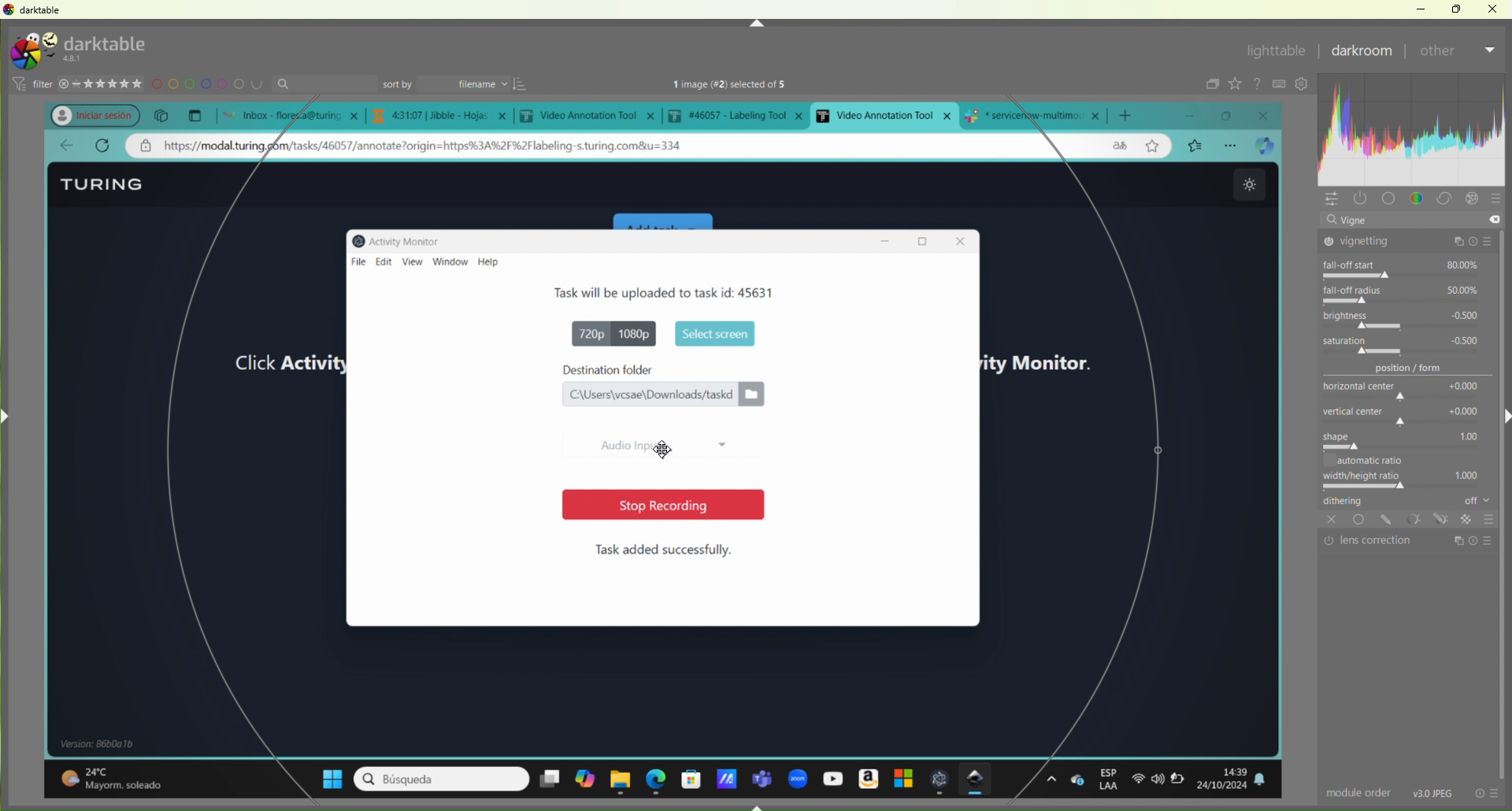 The height and width of the screenshot is (811, 1512). Describe the element at coordinates (549, 779) in the screenshot. I see `desktopms` at that location.